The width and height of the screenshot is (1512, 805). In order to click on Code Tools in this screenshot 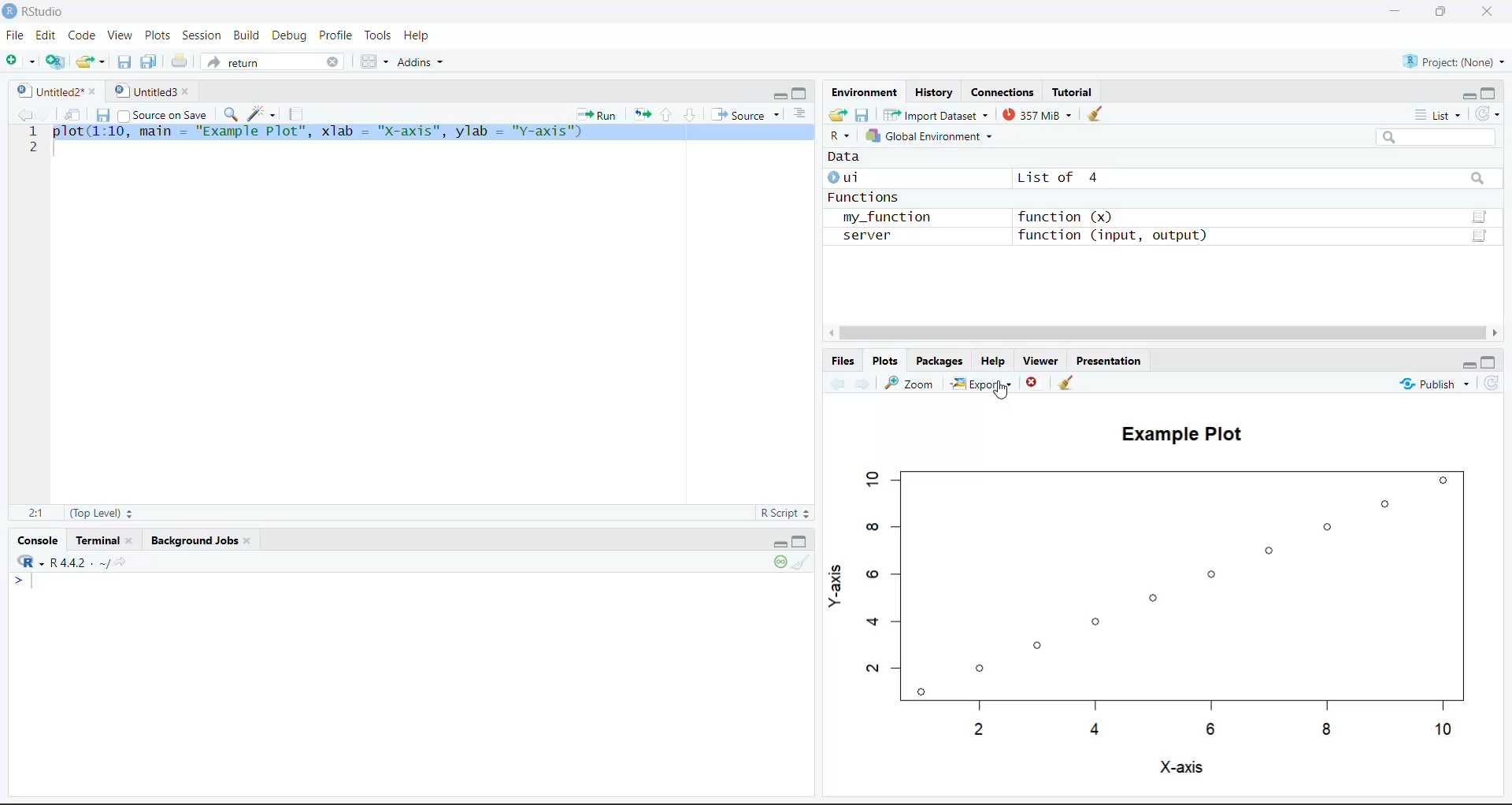, I will do `click(262, 113)`.